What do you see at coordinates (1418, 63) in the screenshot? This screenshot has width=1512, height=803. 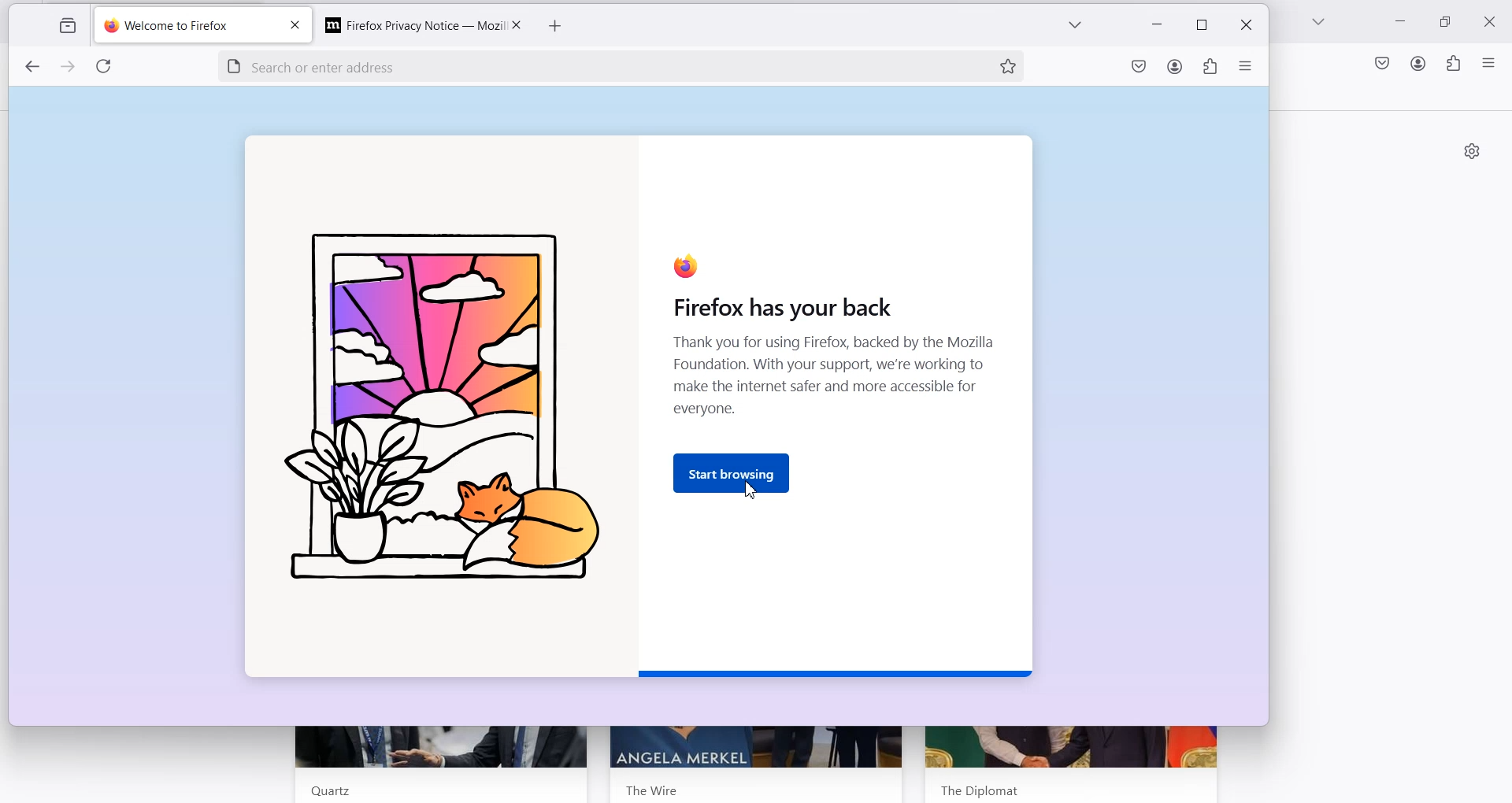 I see `Account` at bounding box center [1418, 63].